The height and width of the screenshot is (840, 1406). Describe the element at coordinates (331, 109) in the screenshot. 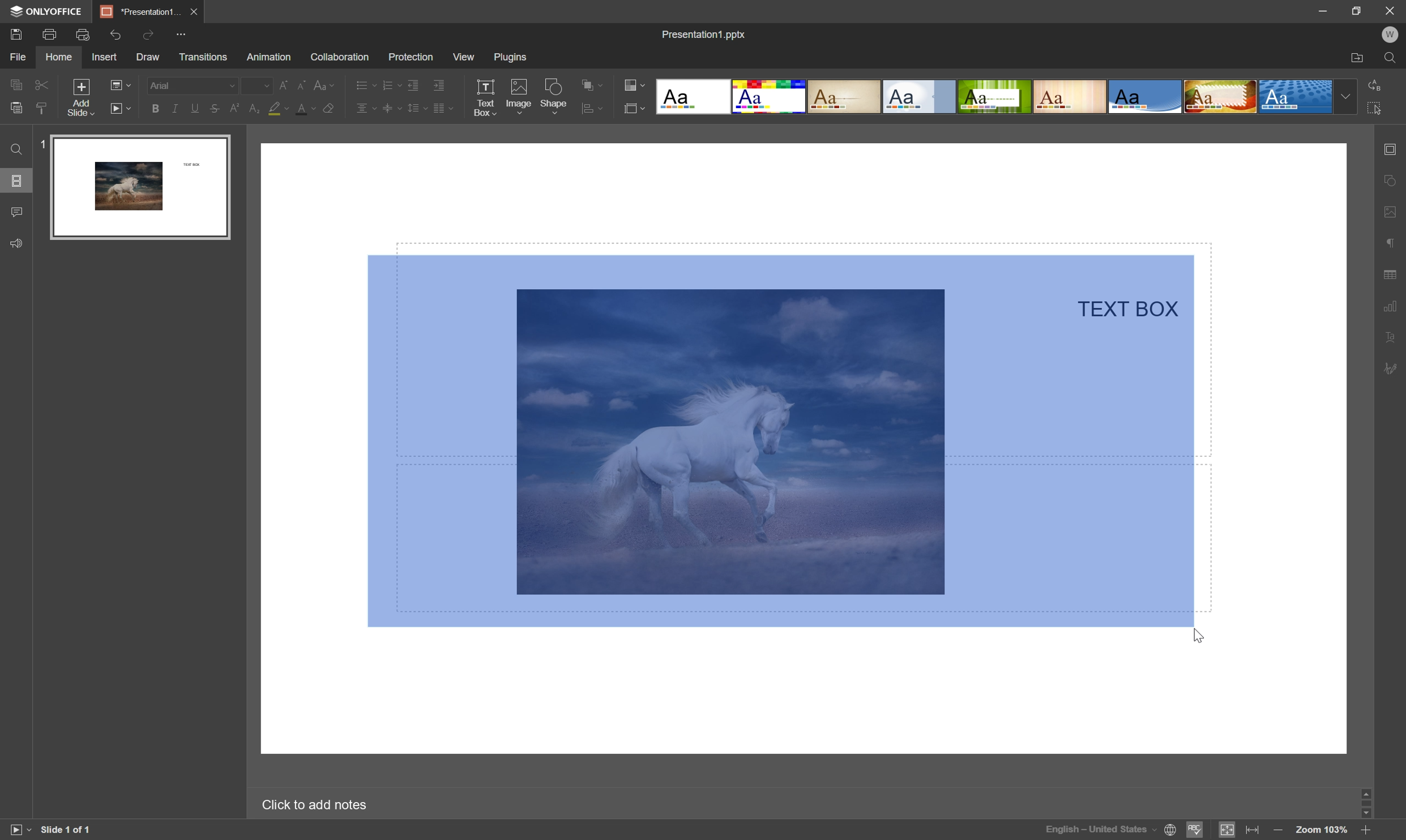

I see `clear style` at that location.